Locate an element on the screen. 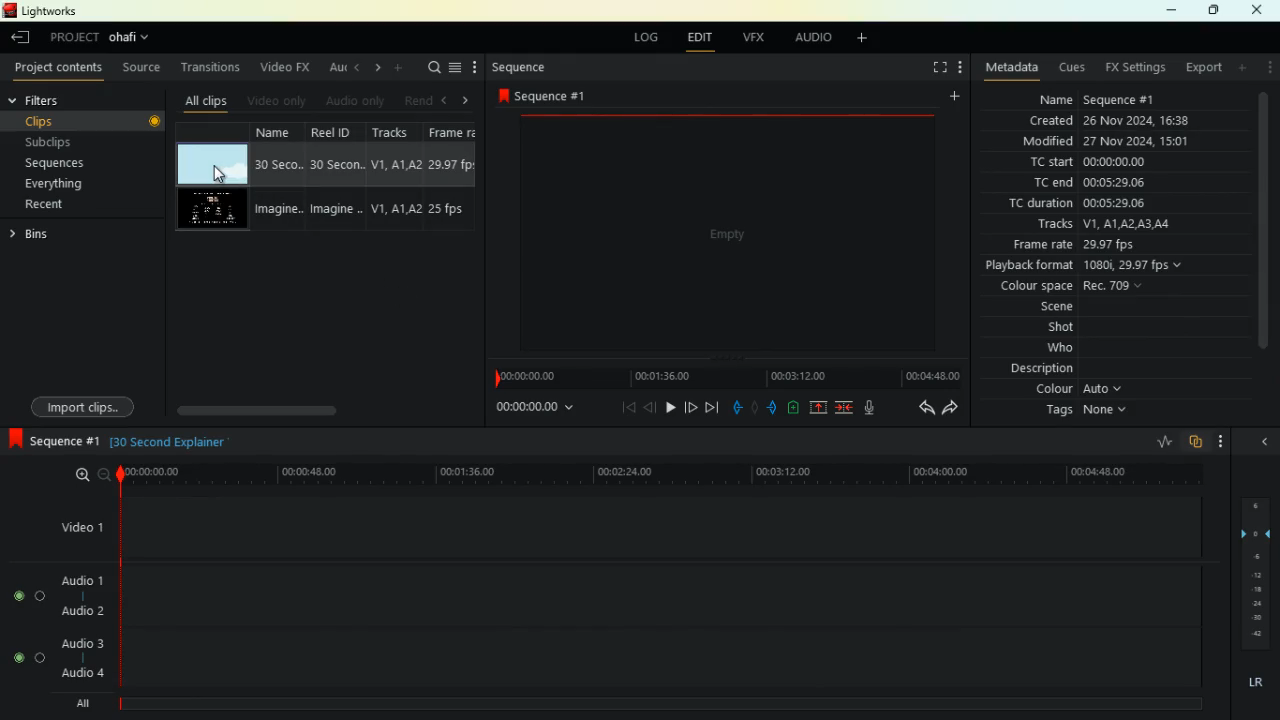 The image size is (1280, 720). log is located at coordinates (641, 38).